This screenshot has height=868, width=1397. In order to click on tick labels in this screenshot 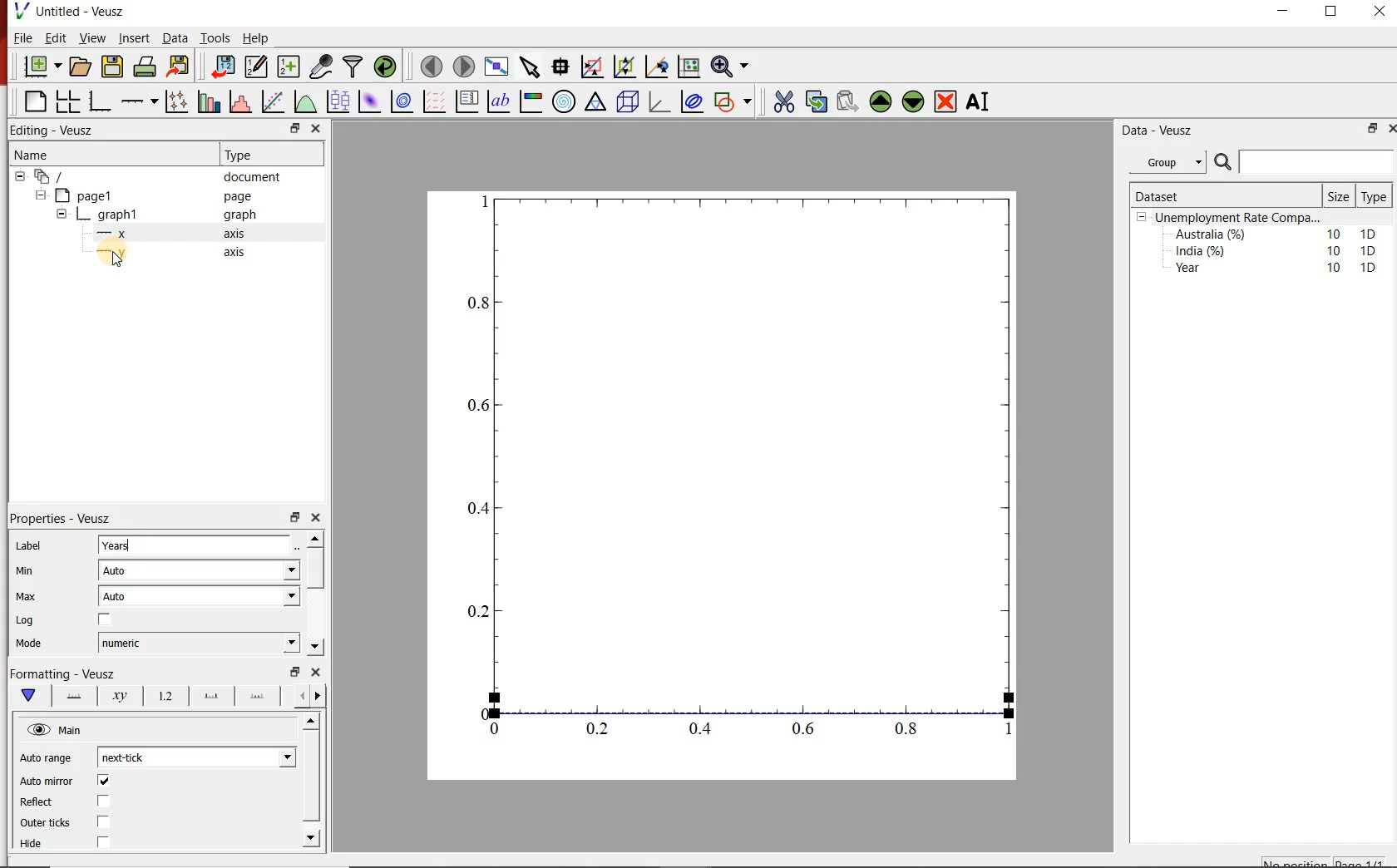, I will do `click(166, 697)`.